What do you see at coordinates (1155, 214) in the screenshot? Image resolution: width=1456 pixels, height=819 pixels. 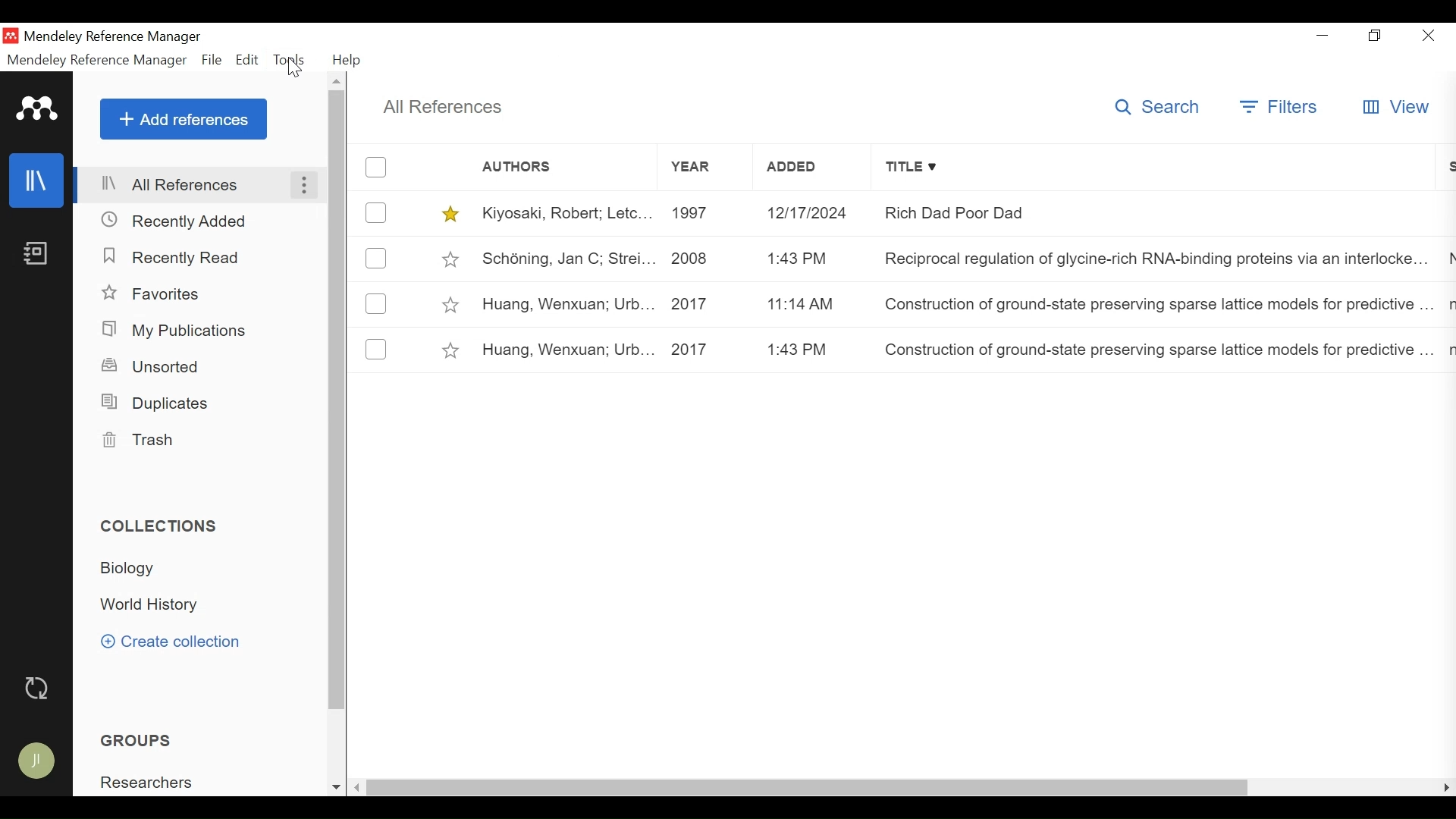 I see `Rich Dad Poor Dad` at bounding box center [1155, 214].